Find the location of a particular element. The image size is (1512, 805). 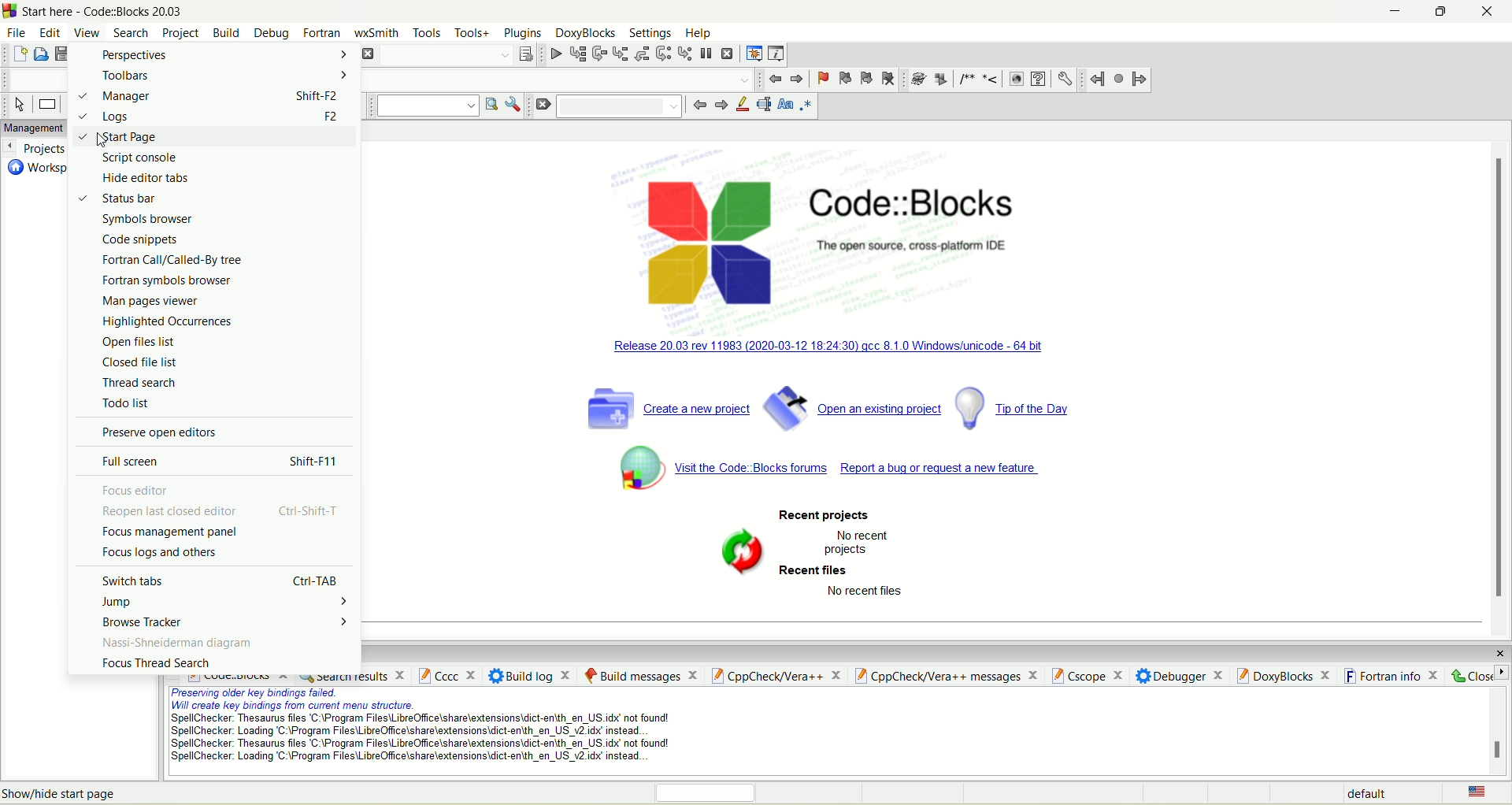

settings is located at coordinates (1065, 80).